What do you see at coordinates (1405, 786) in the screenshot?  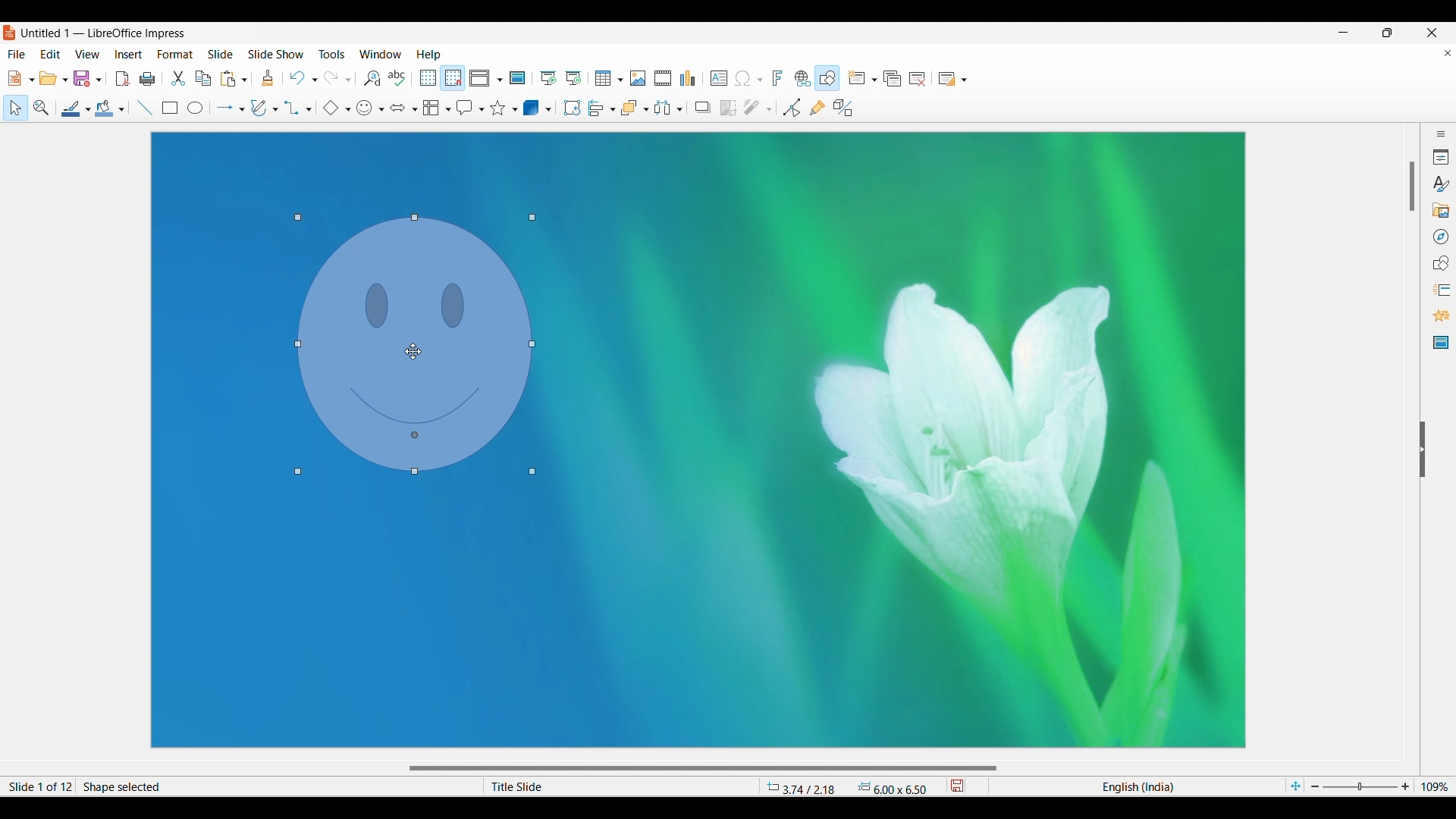 I see `Zoom in` at bounding box center [1405, 786].